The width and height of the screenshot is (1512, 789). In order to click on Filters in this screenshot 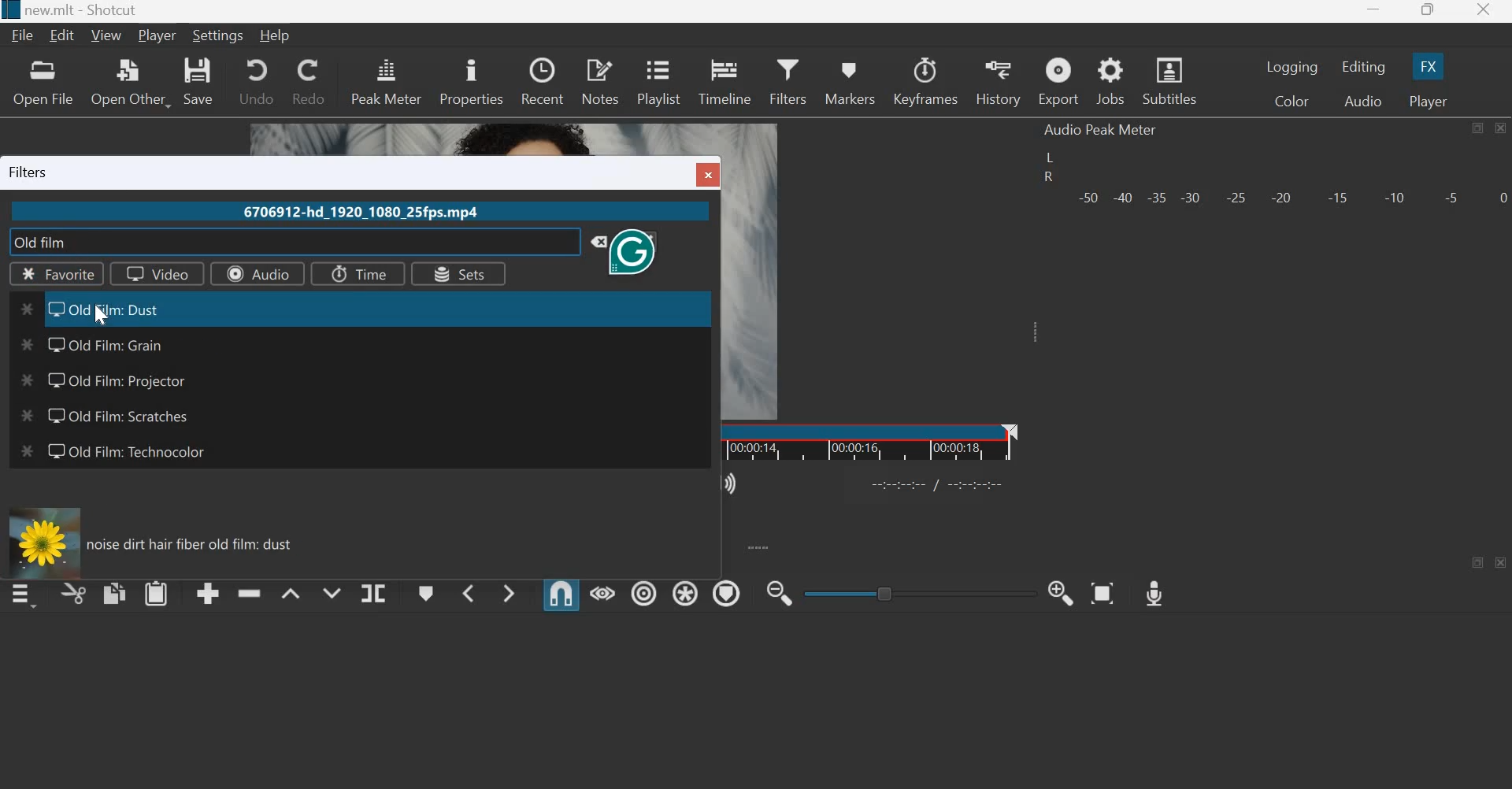, I will do `click(787, 79)`.